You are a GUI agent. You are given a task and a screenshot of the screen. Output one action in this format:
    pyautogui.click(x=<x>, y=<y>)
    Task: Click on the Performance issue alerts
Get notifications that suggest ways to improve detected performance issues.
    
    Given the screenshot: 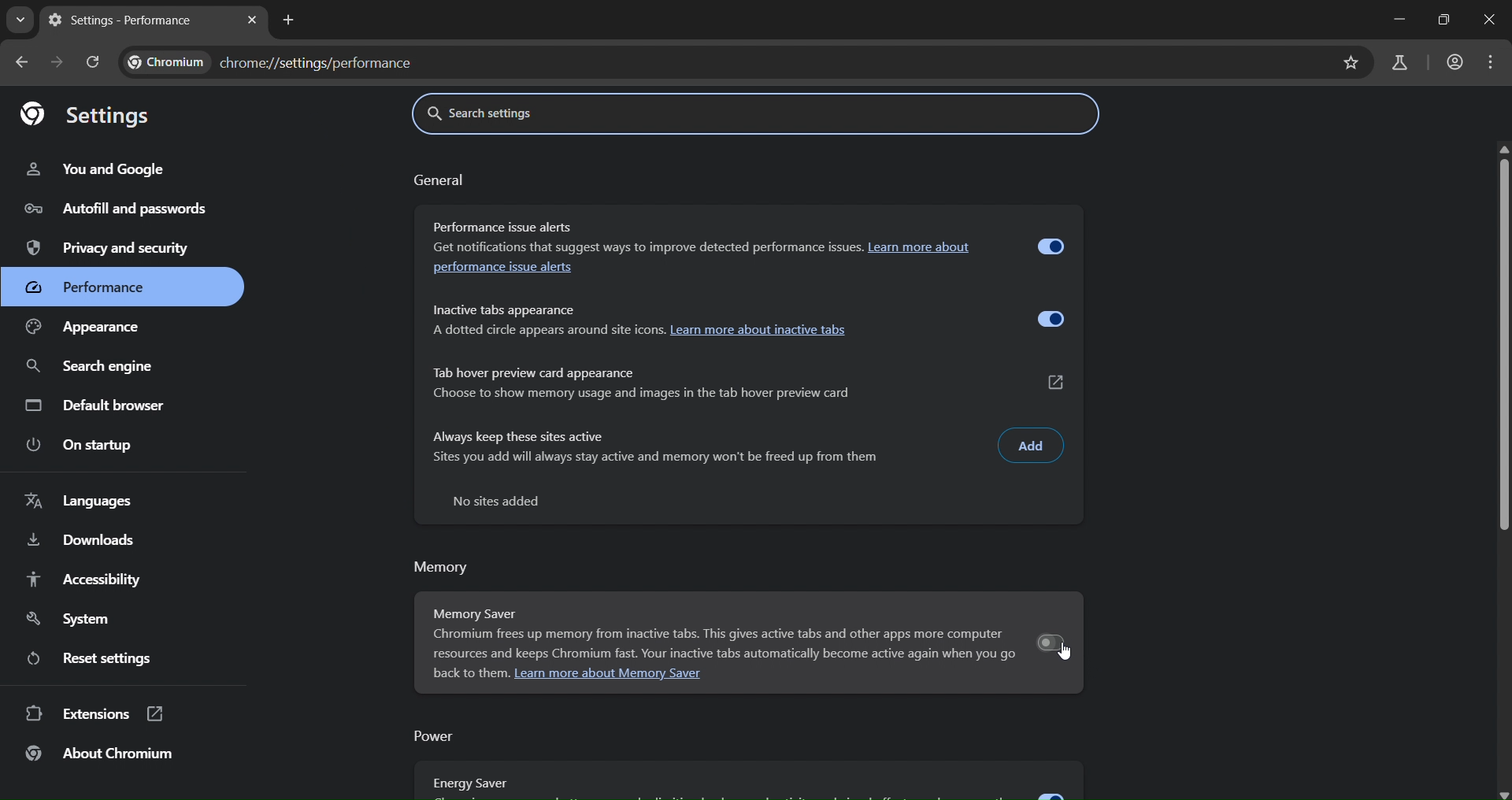 What is the action you would take?
    pyautogui.click(x=645, y=234)
    